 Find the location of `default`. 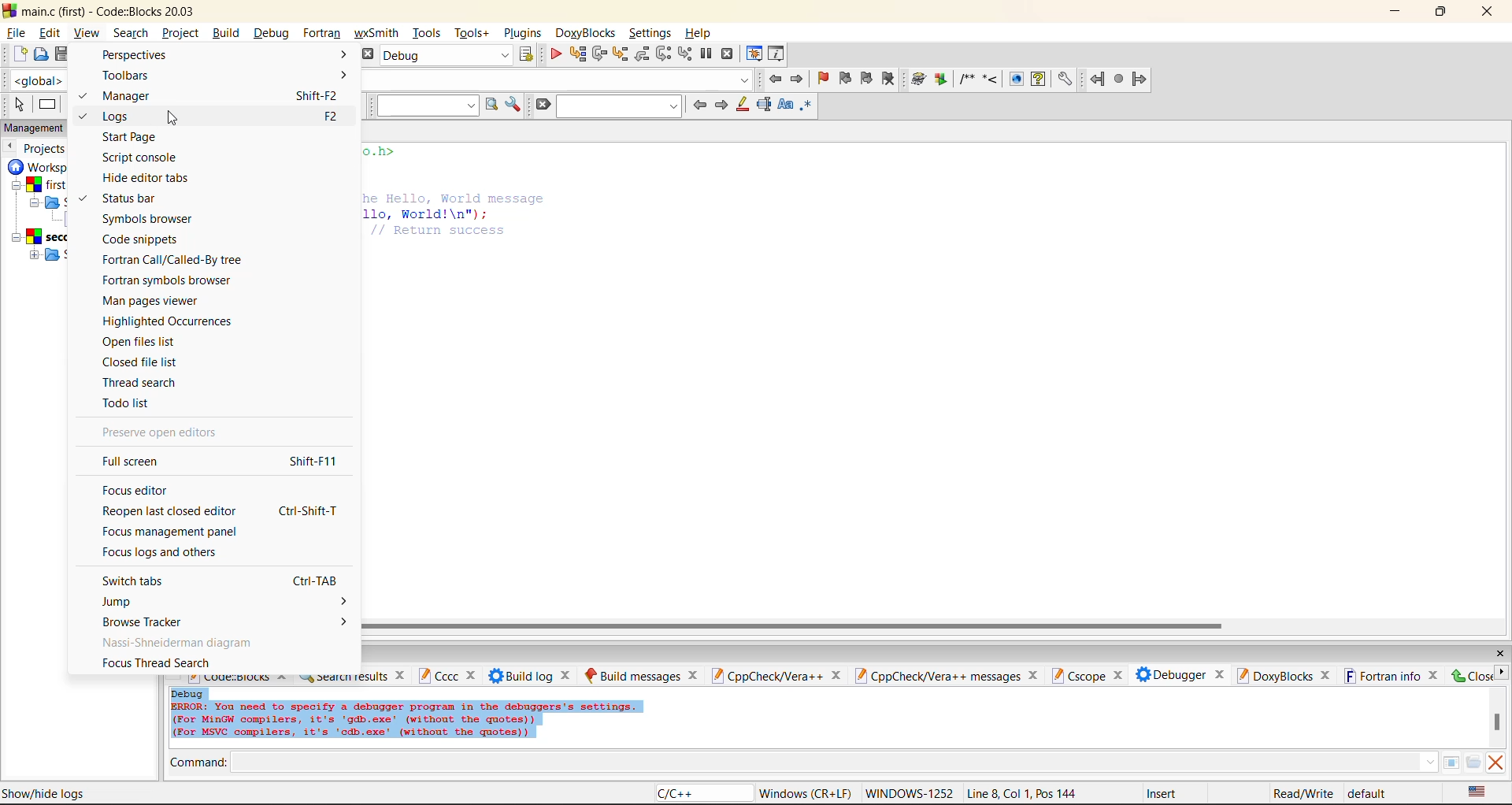

default is located at coordinates (1378, 792).